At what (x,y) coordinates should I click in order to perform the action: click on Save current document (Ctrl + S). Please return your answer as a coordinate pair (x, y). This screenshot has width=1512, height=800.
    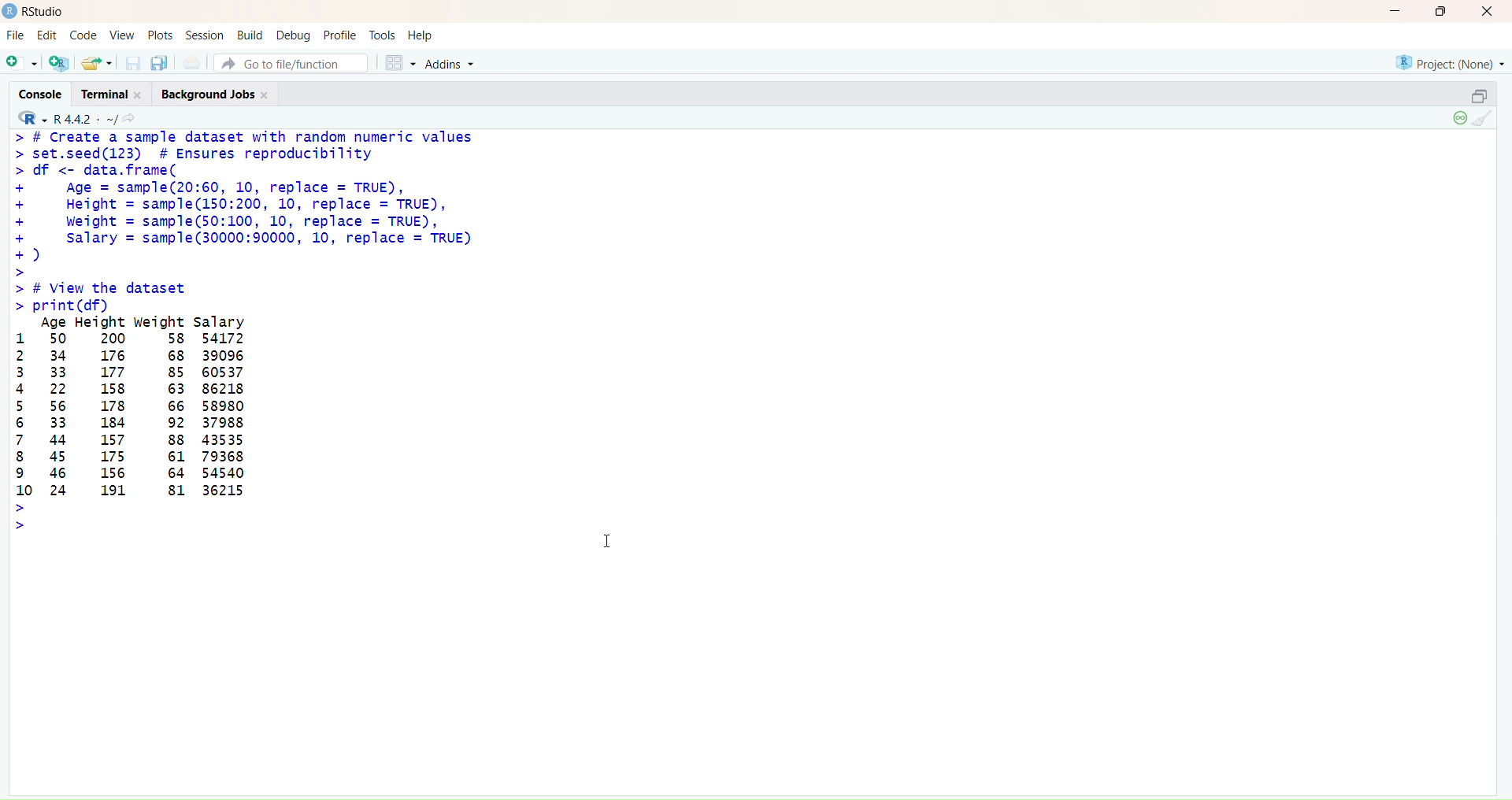
    Looking at the image, I should click on (132, 63).